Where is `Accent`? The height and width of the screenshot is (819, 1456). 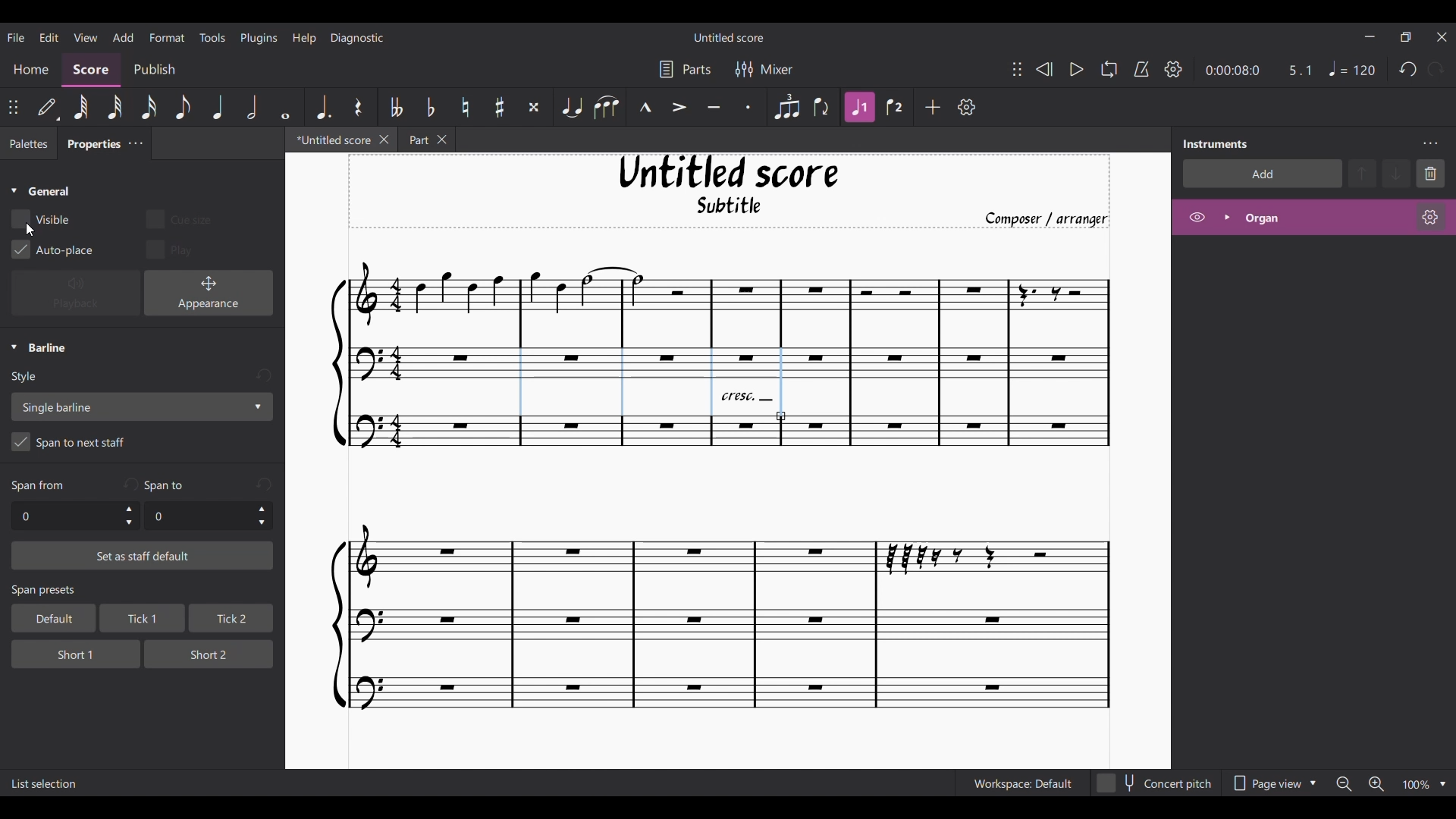
Accent is located at coordinates (679, 108).